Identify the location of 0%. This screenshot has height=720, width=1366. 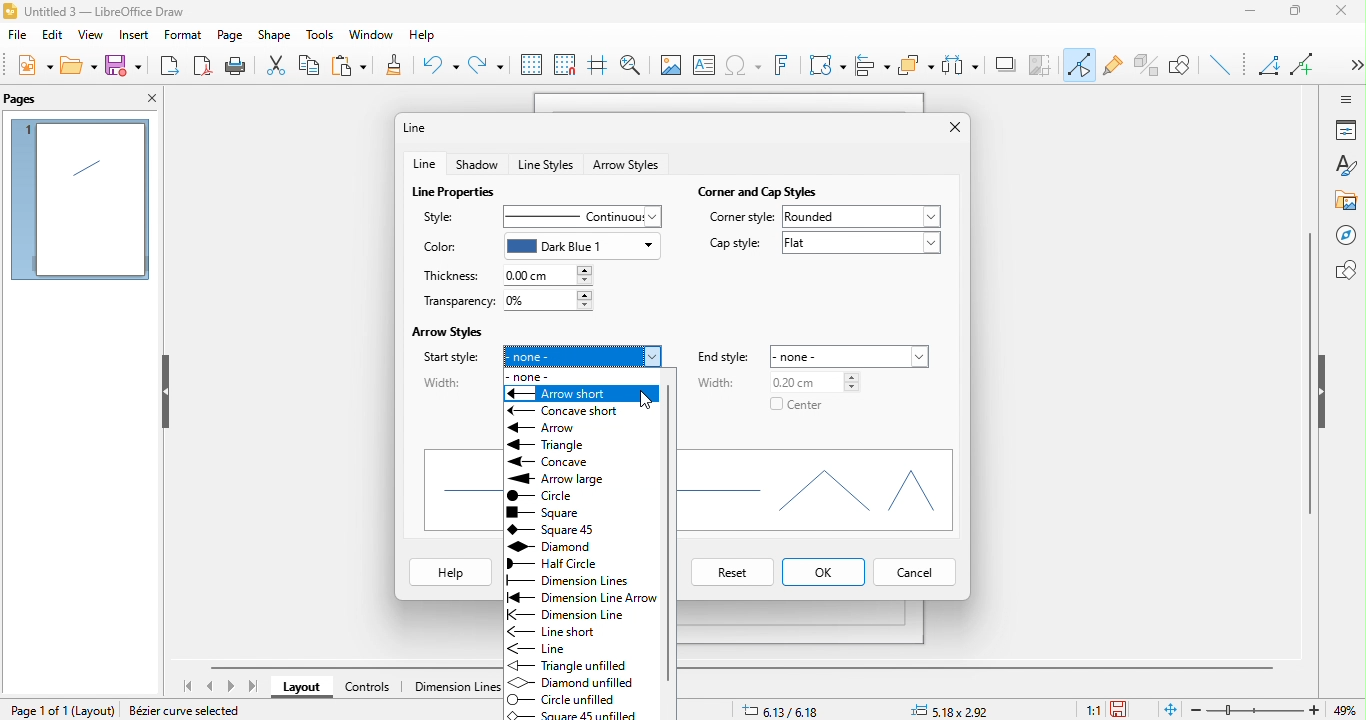
(550, 300).